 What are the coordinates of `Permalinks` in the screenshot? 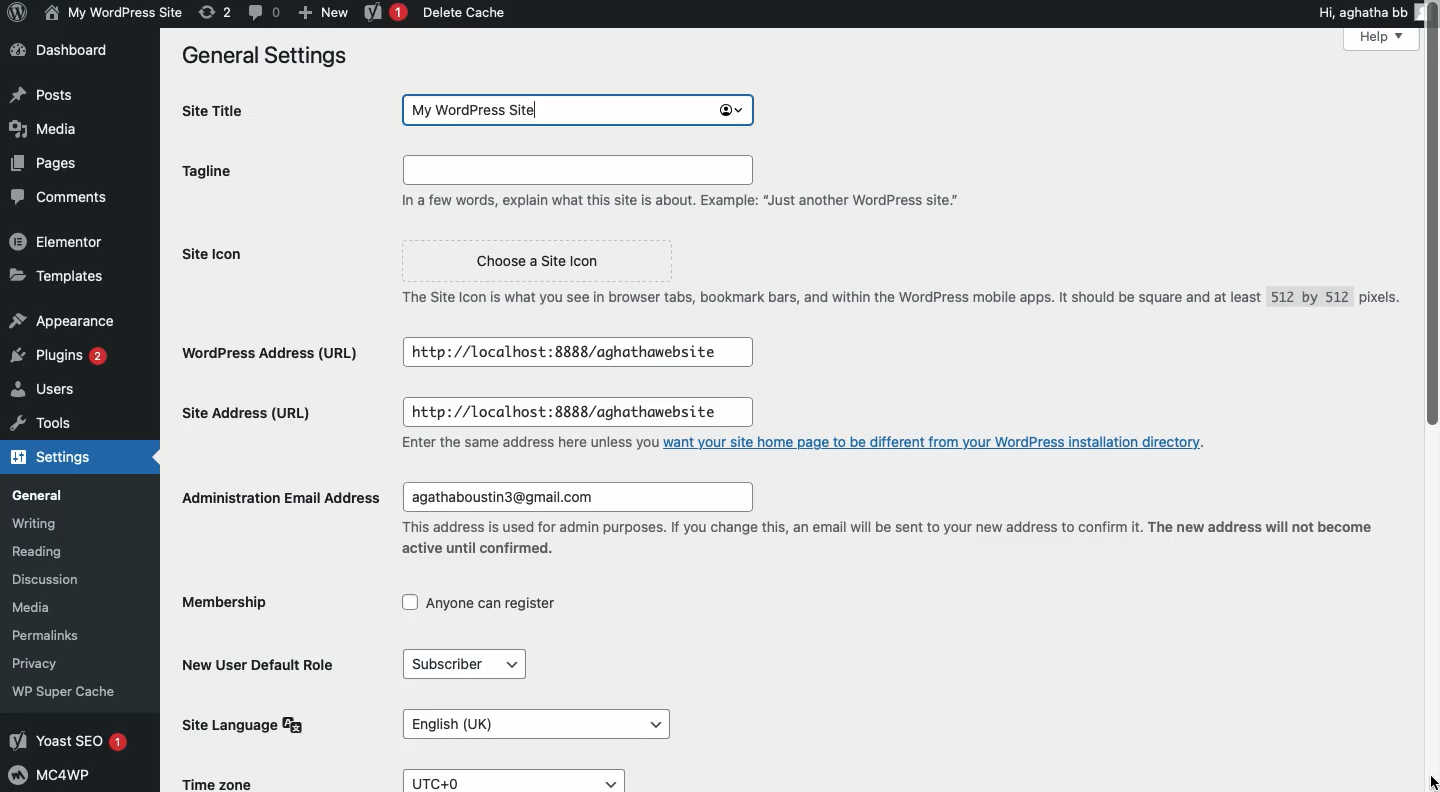 It's located at (50, 638).